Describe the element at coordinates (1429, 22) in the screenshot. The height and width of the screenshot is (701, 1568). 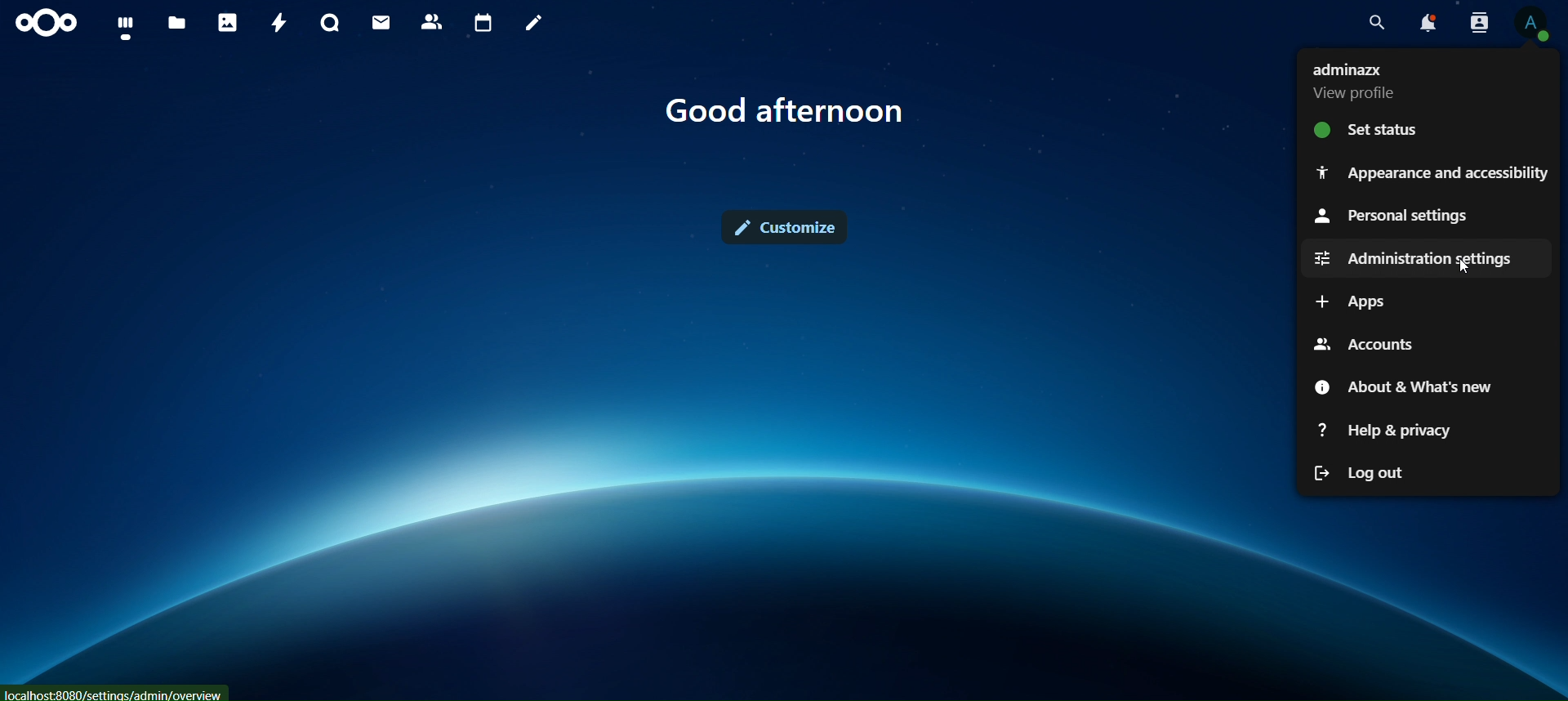
I see `notifications` at that location.